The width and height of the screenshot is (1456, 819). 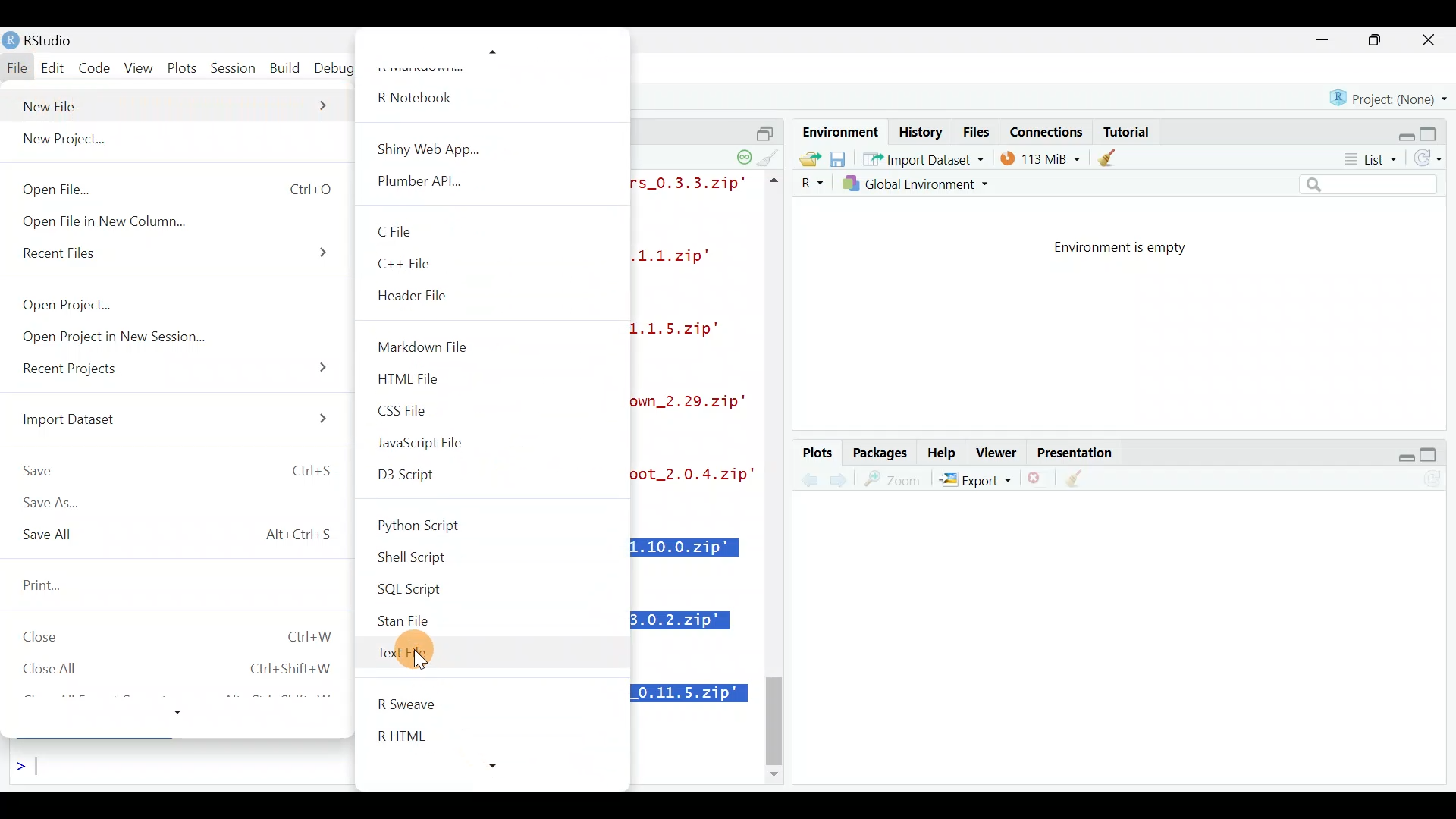 What do you see at coordinates (1435, 454) in the screenshot?
I see `maximize` at bounding box center [1435, 454].